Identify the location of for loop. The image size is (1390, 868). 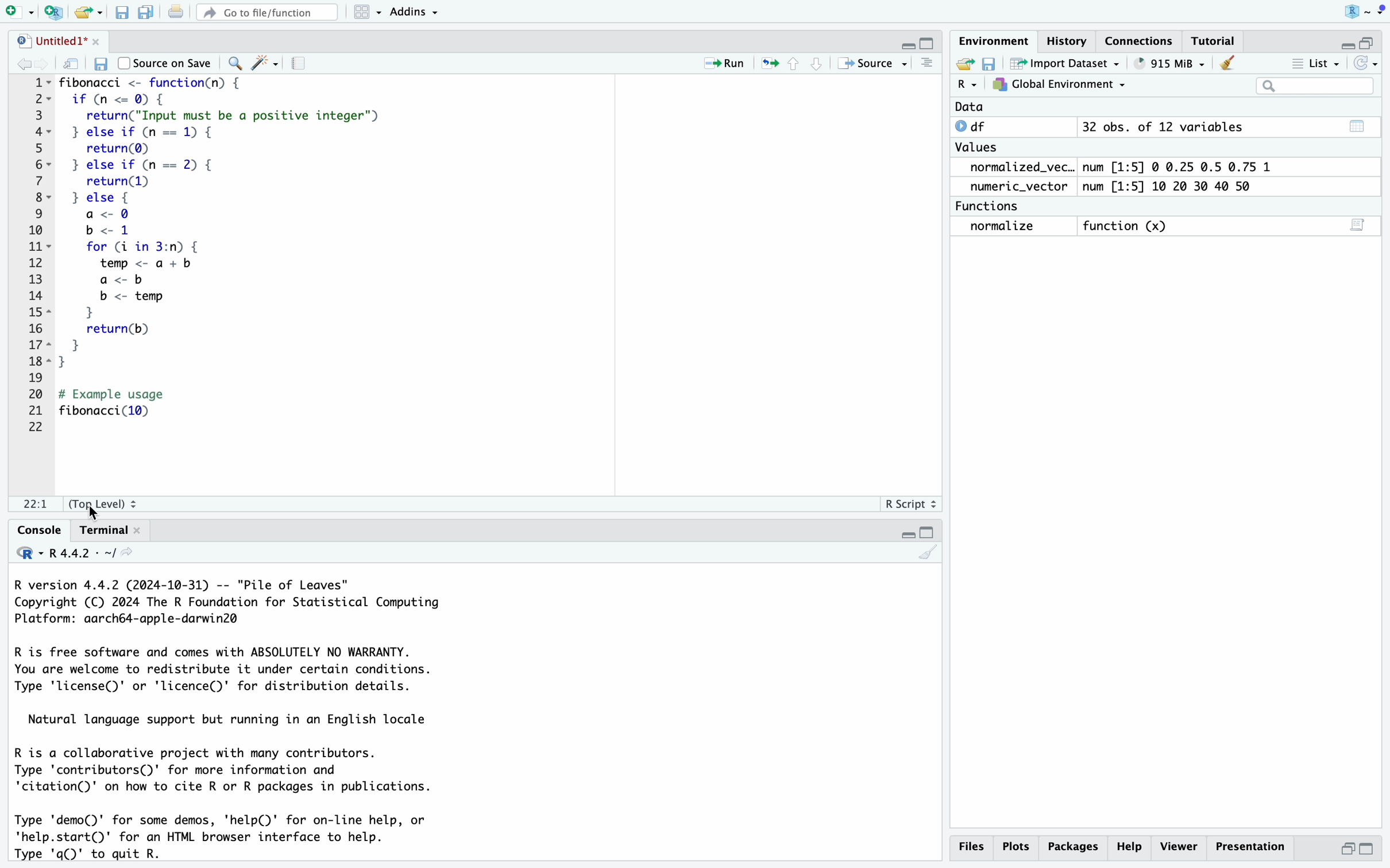
(159, 305).